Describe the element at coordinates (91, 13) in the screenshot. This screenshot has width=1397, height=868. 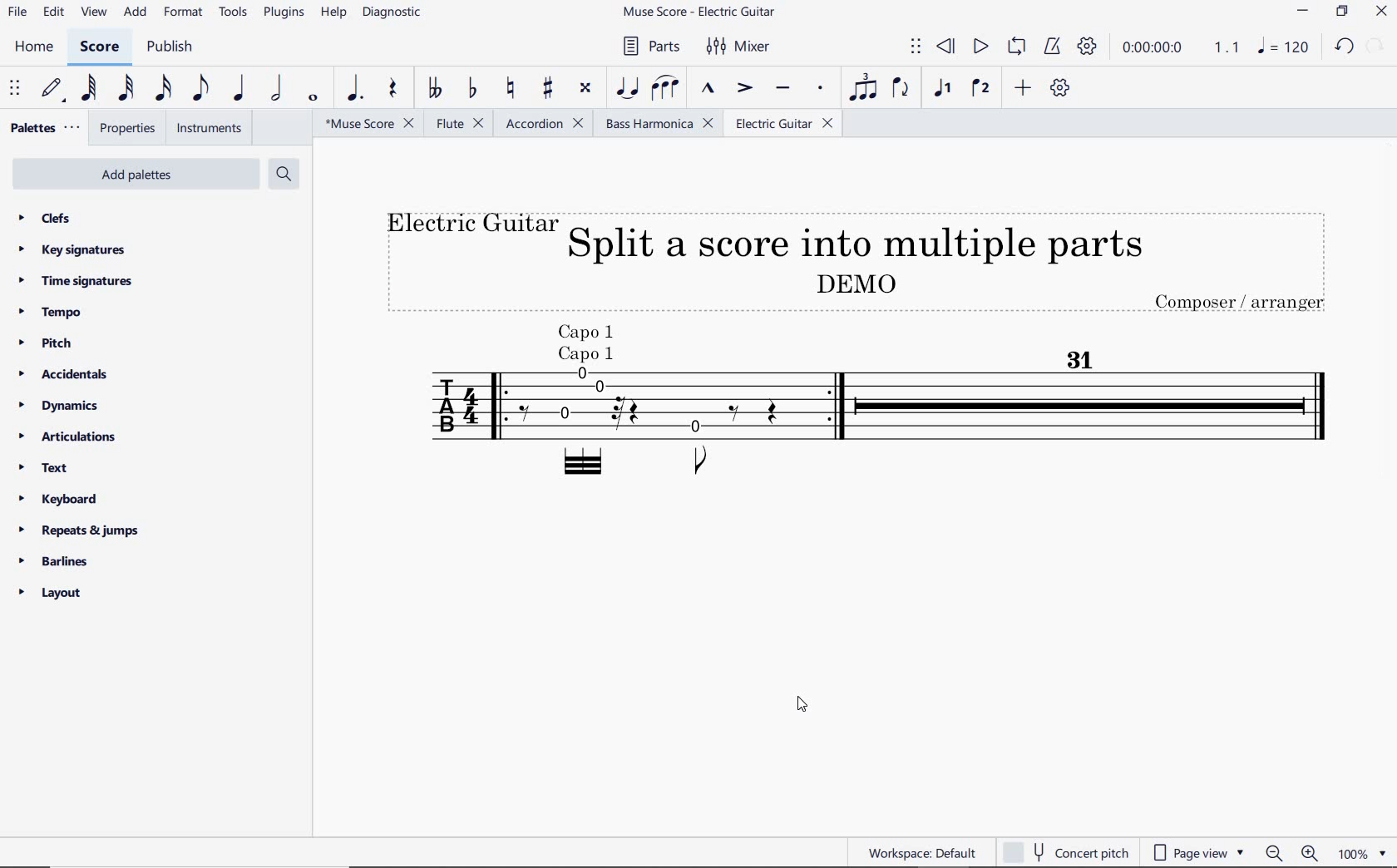
I see `view` at that location.